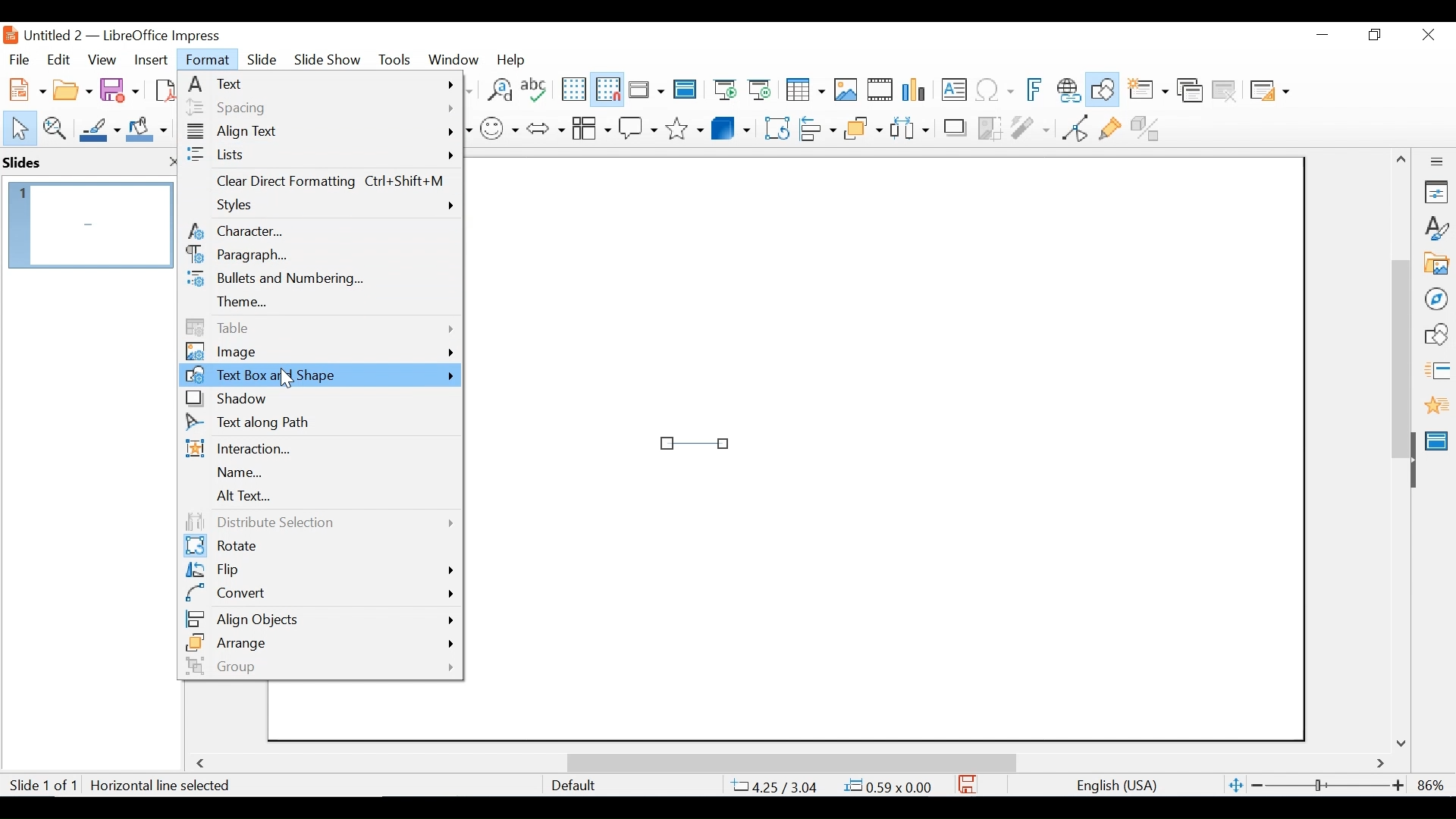  What do you see at coordinates (775, 127) in the screenshot?
I see `Rotate` at bounding box center [775, 127].